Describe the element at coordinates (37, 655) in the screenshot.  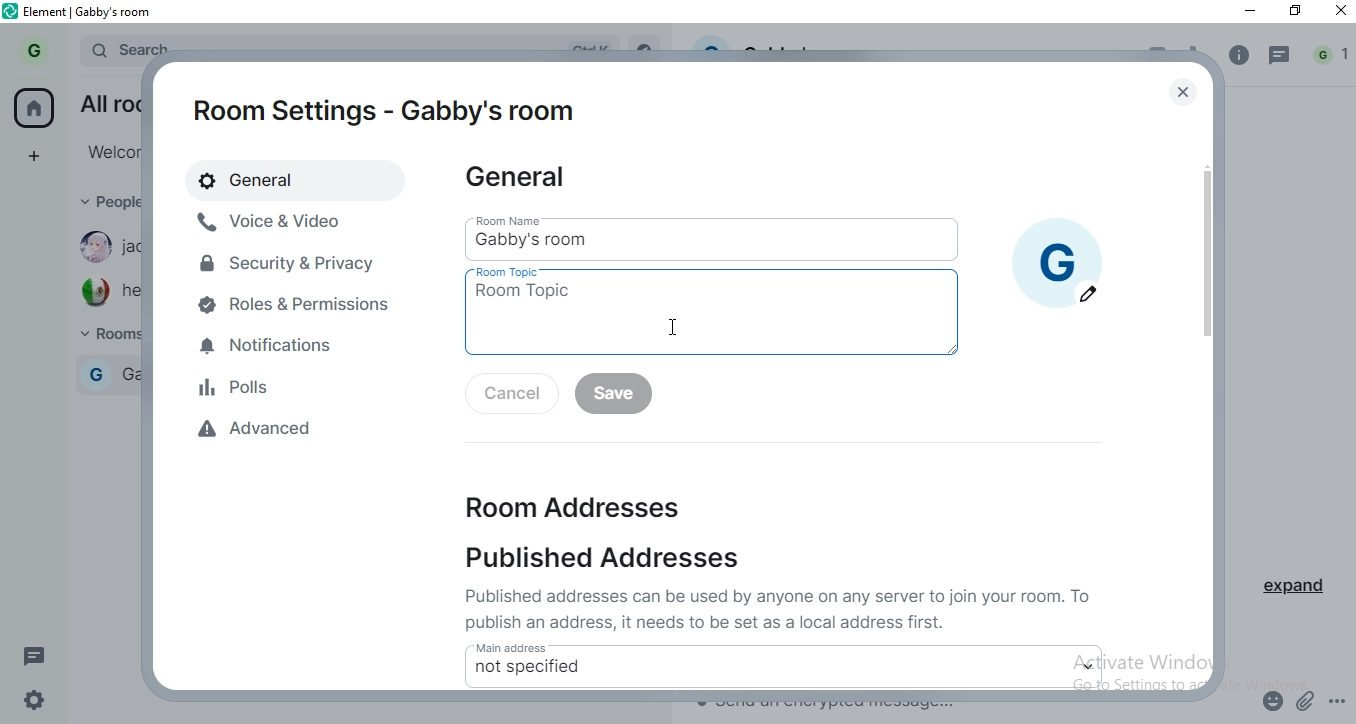
I see `message` at that location.